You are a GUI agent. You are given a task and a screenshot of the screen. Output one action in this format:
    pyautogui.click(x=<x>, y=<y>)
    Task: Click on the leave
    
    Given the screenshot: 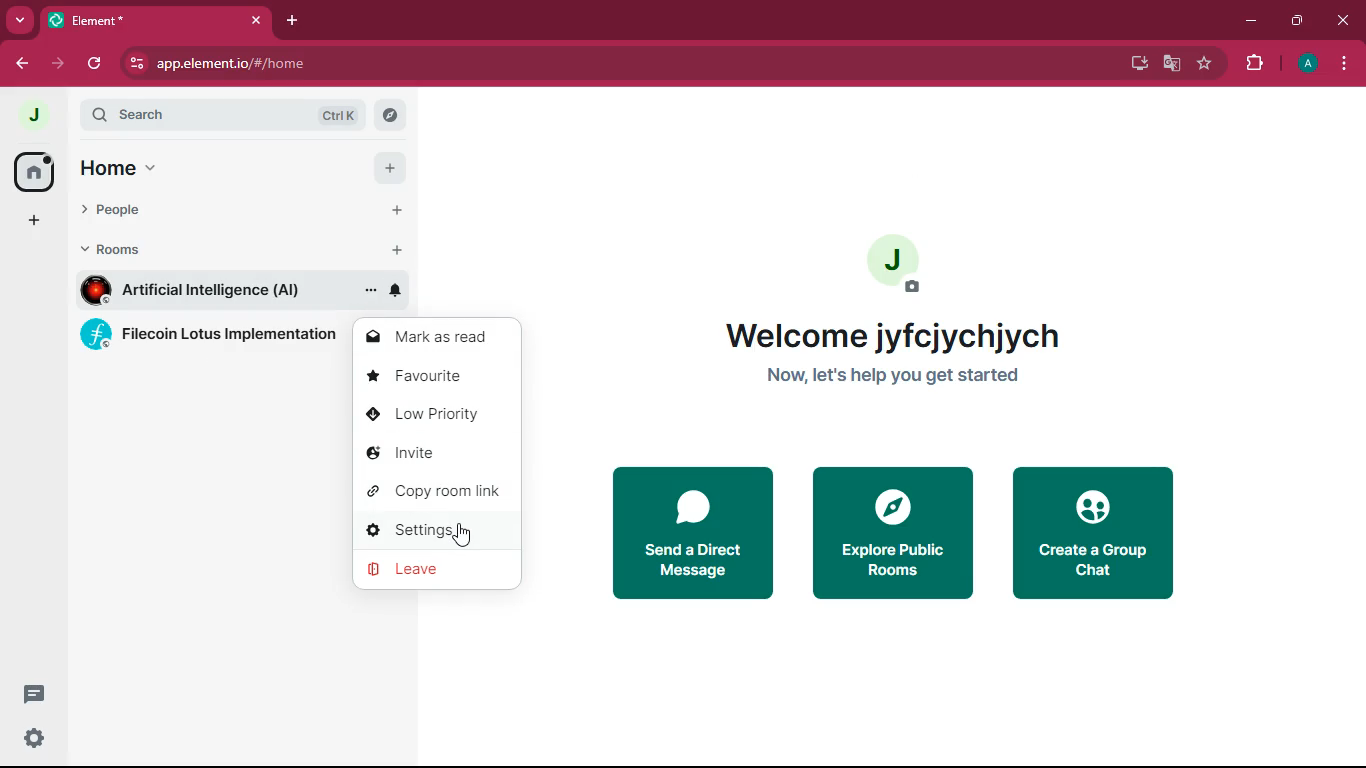 What is the action you would take?
    pyautogui.click(x=435, y=571)
    